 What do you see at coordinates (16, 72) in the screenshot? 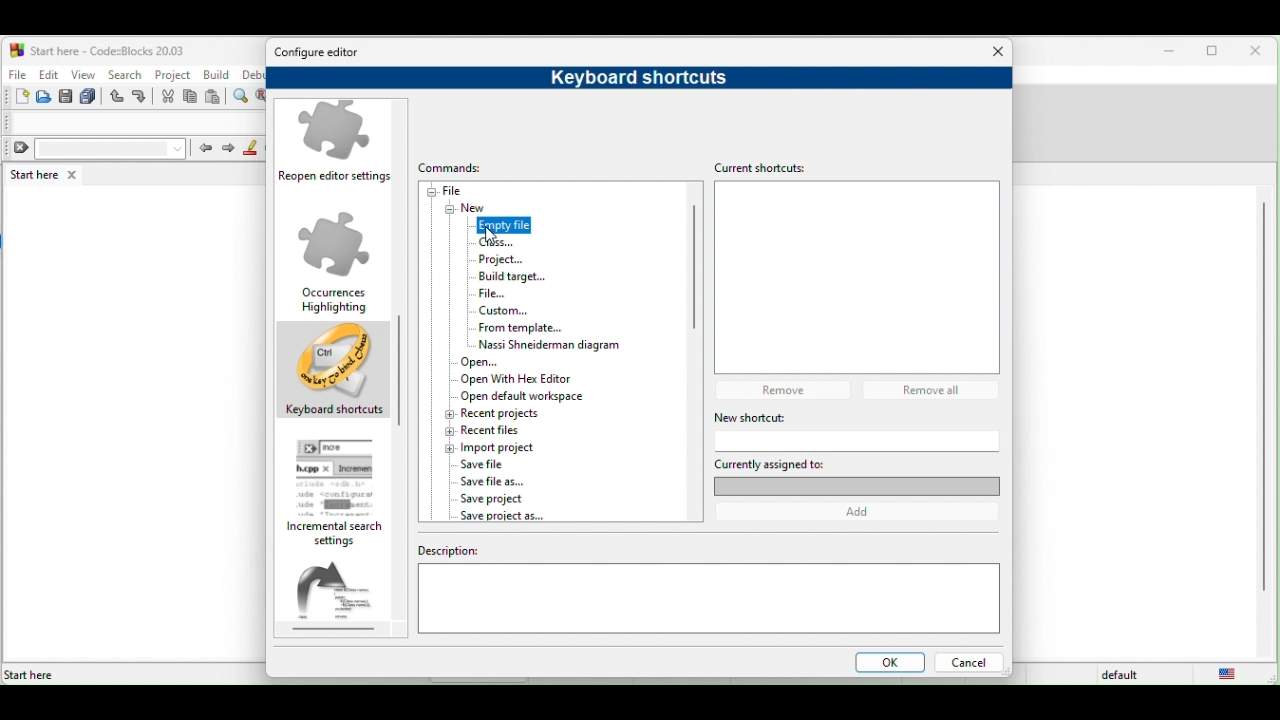
I see `file` at bounding box center [16, 72].